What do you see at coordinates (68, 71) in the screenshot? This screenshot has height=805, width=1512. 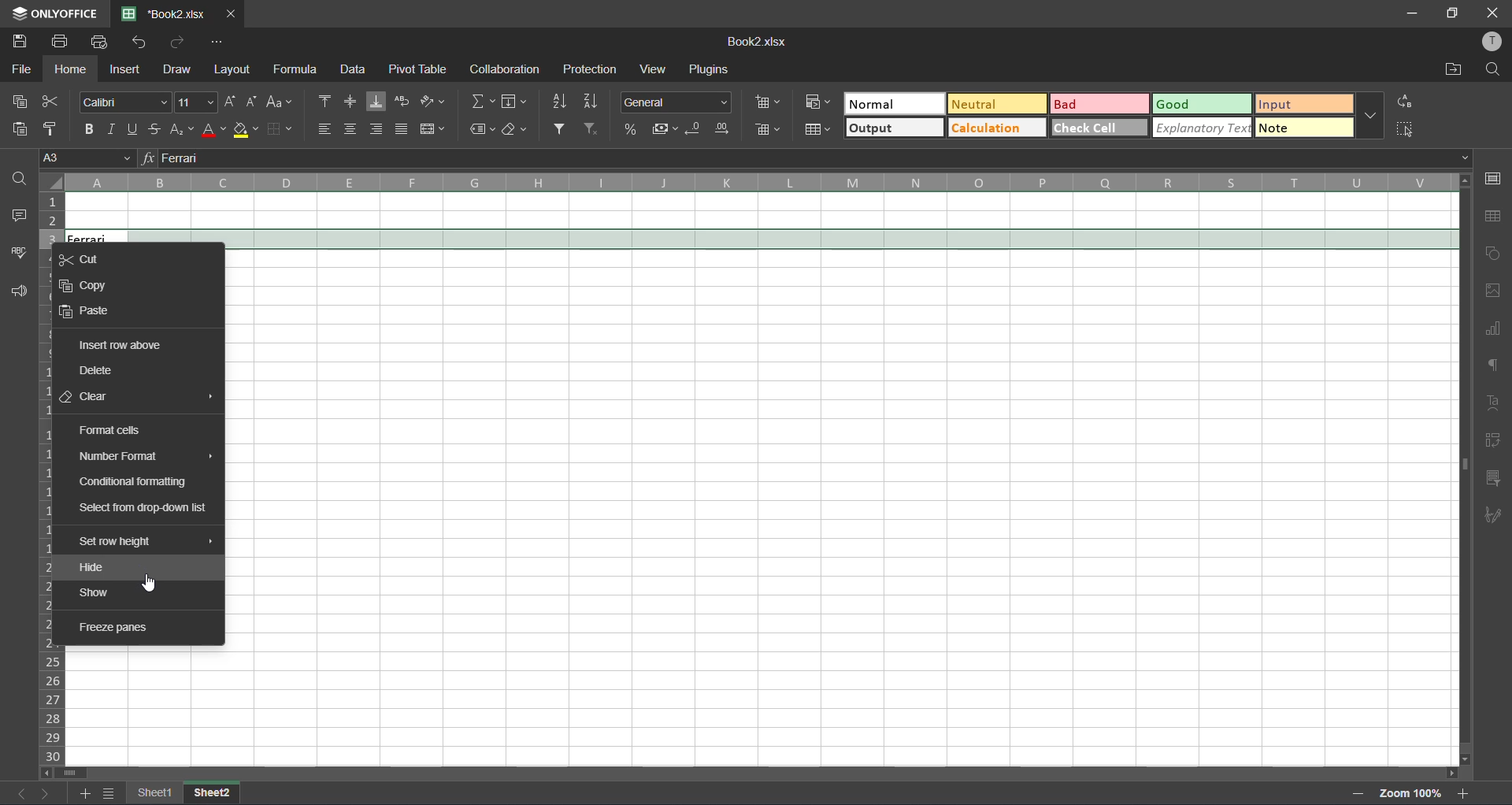 I see `home` at bounding box center [68, 71].